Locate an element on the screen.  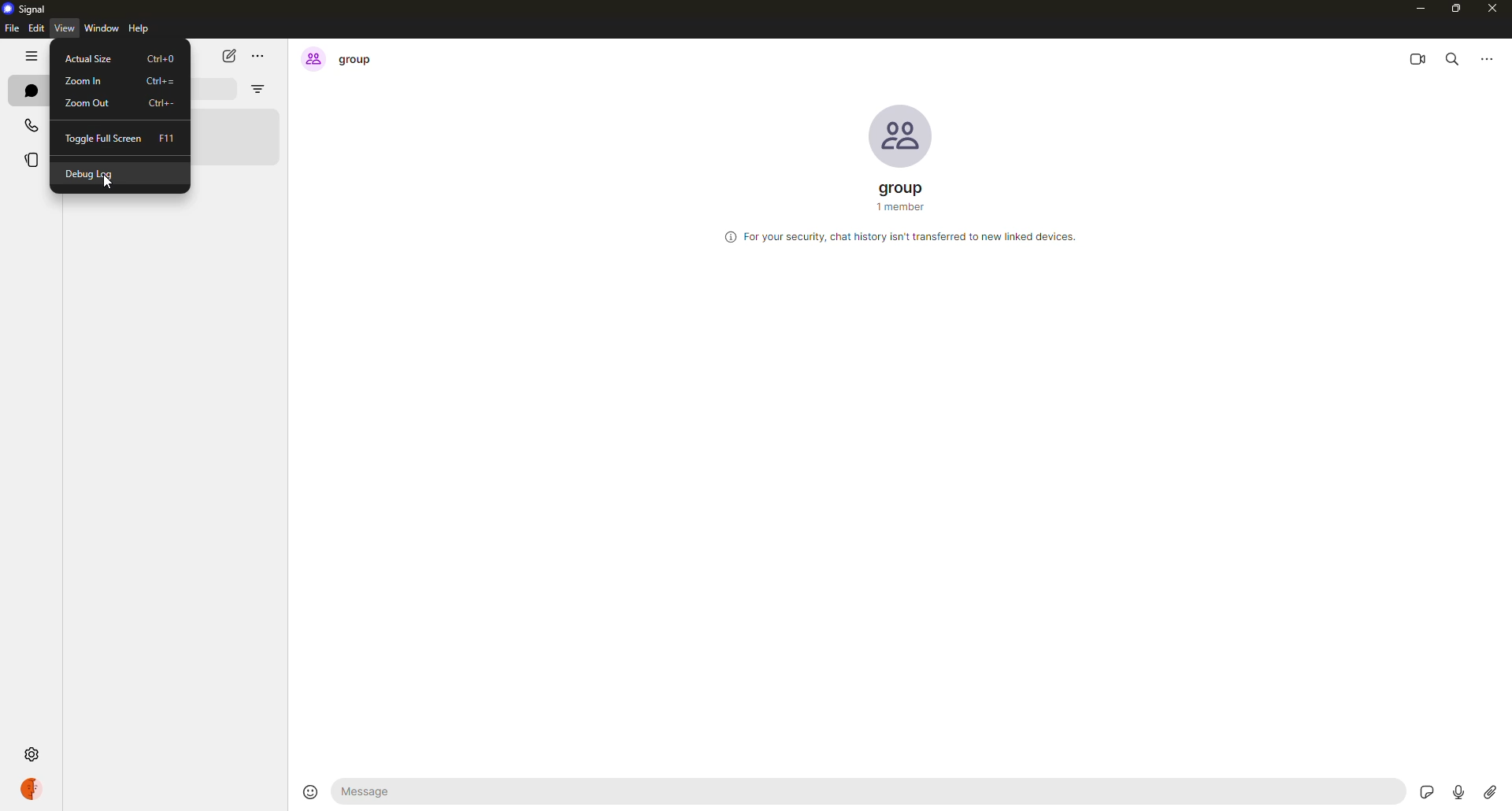
chats is located at coordinates (29, 90).